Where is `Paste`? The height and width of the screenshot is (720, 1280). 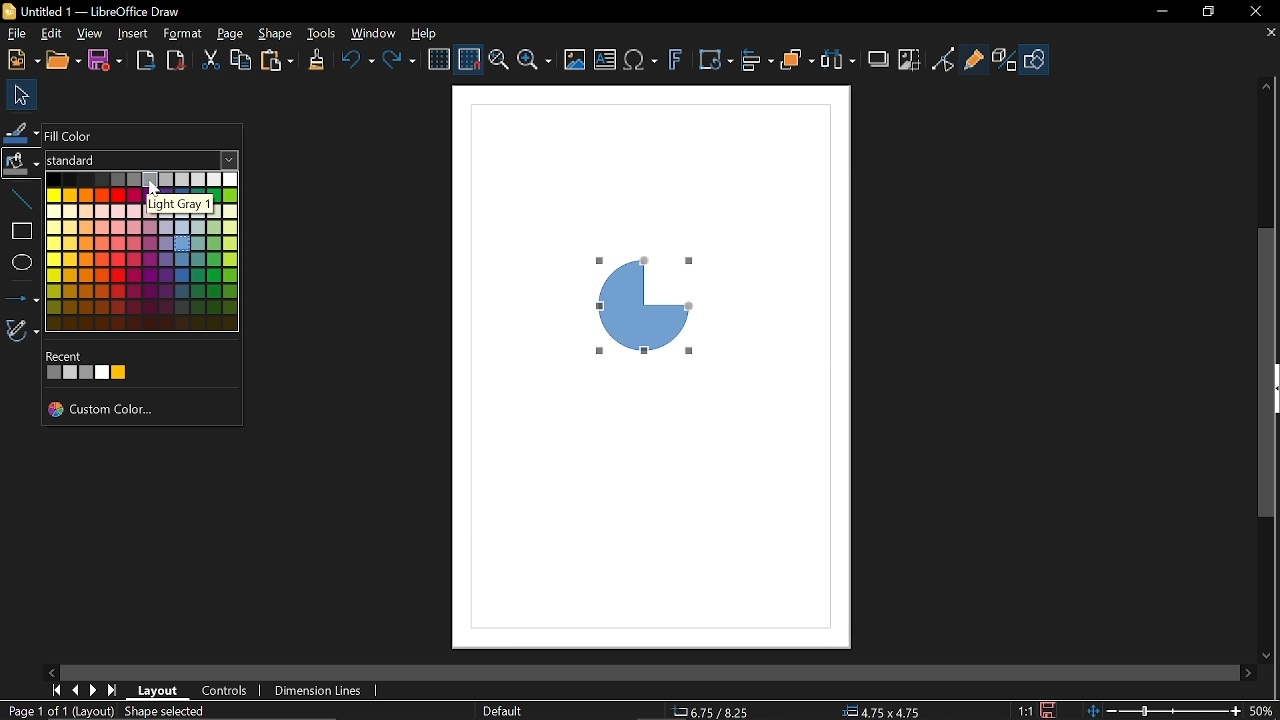 Paste is located at coordinates (278, 61).